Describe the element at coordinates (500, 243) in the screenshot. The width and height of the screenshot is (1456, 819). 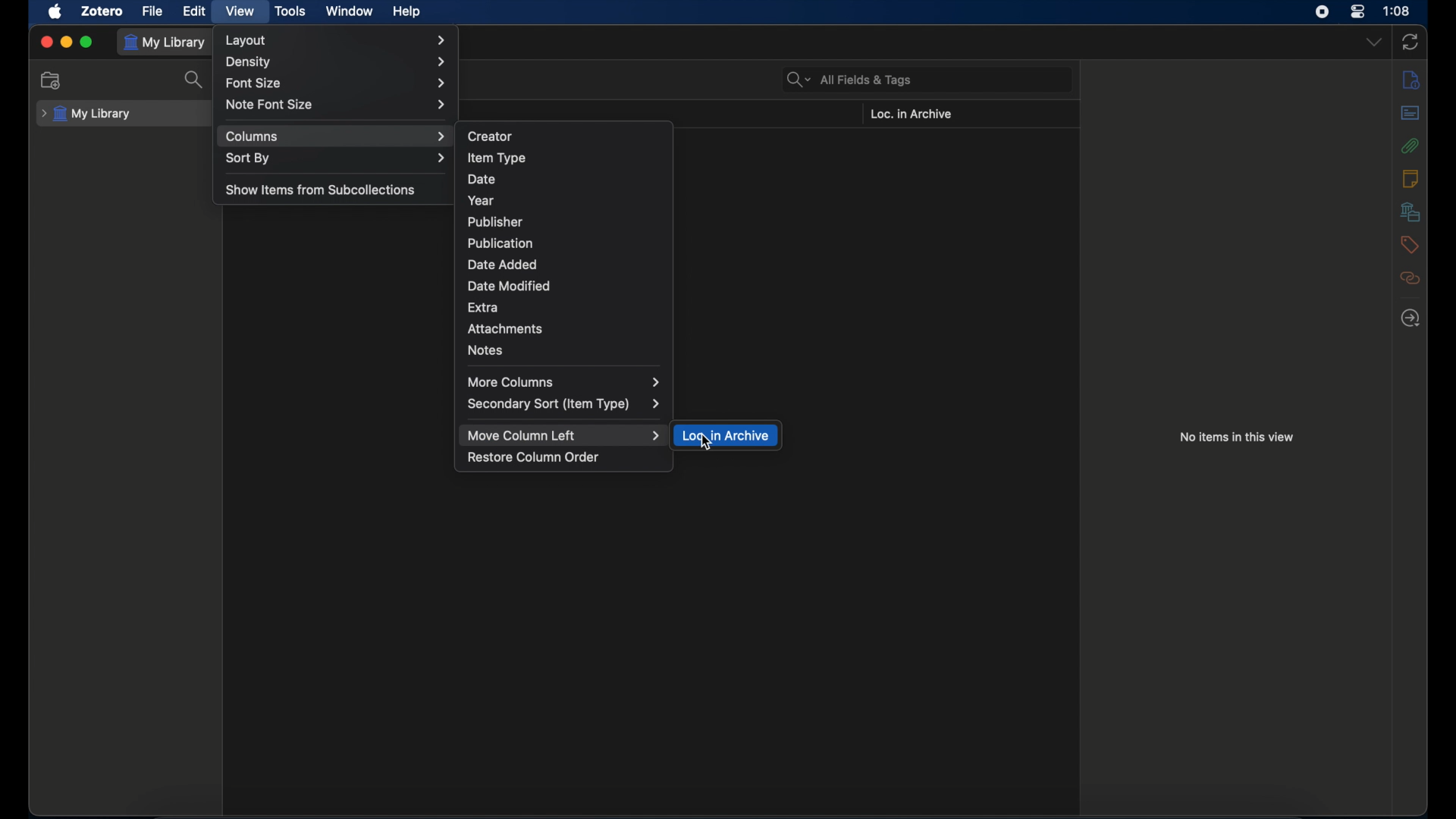
I see `publication` at that location.